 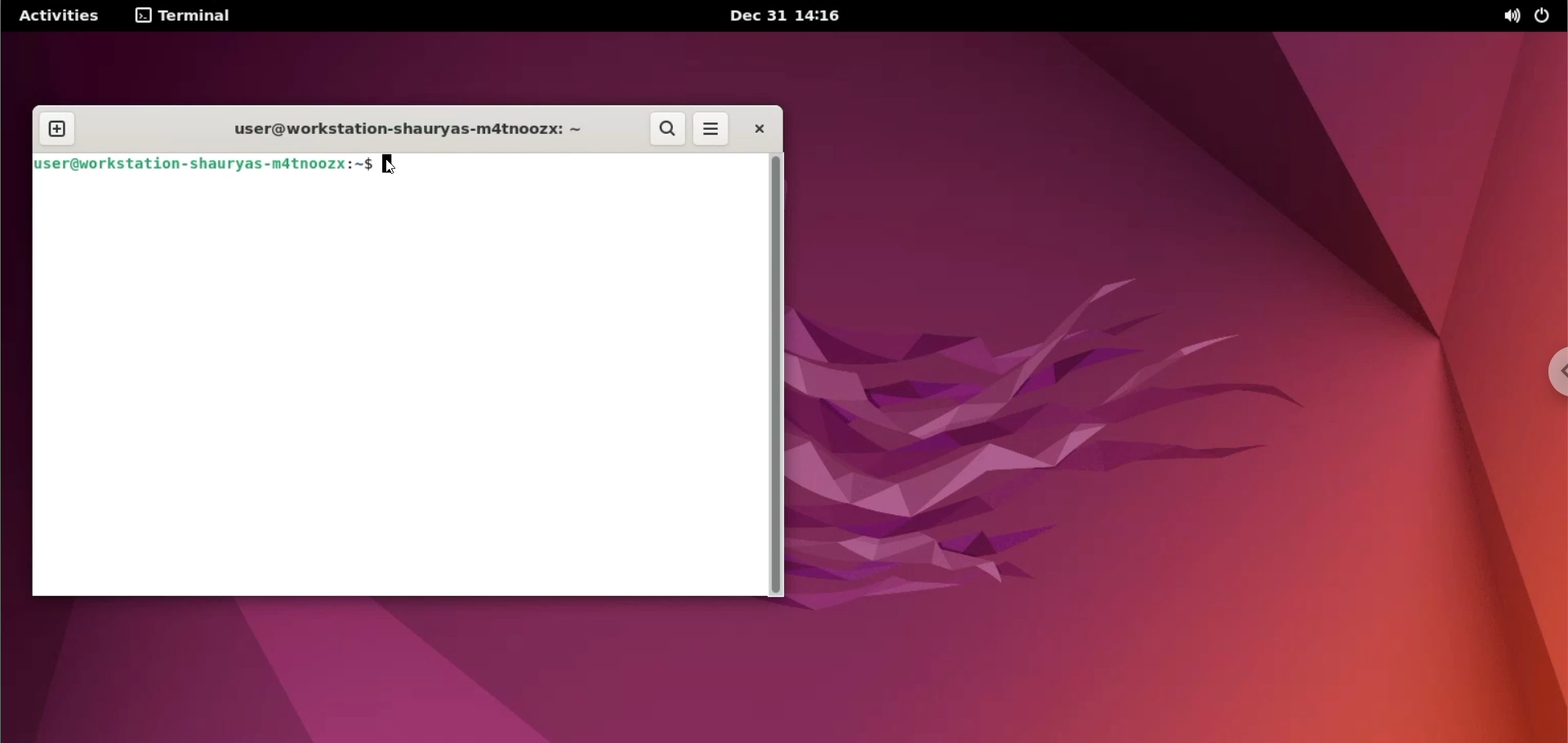 I want to click on command input box, so click(x=394, y=388).